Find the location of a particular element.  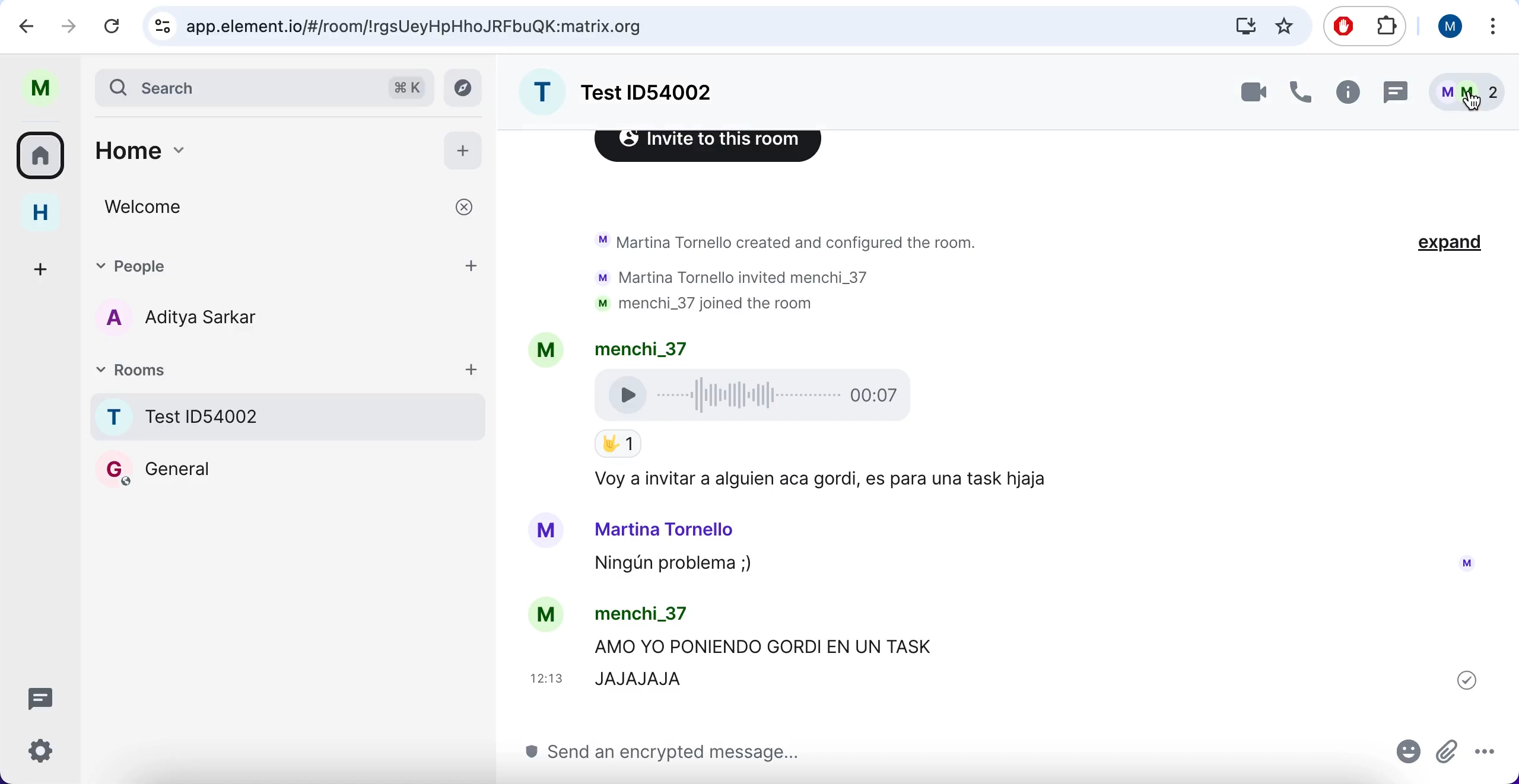

AMO YO PONIENDO GORDI EN UN TASK
JAJAJAJA is located at coordinates (781, 658).